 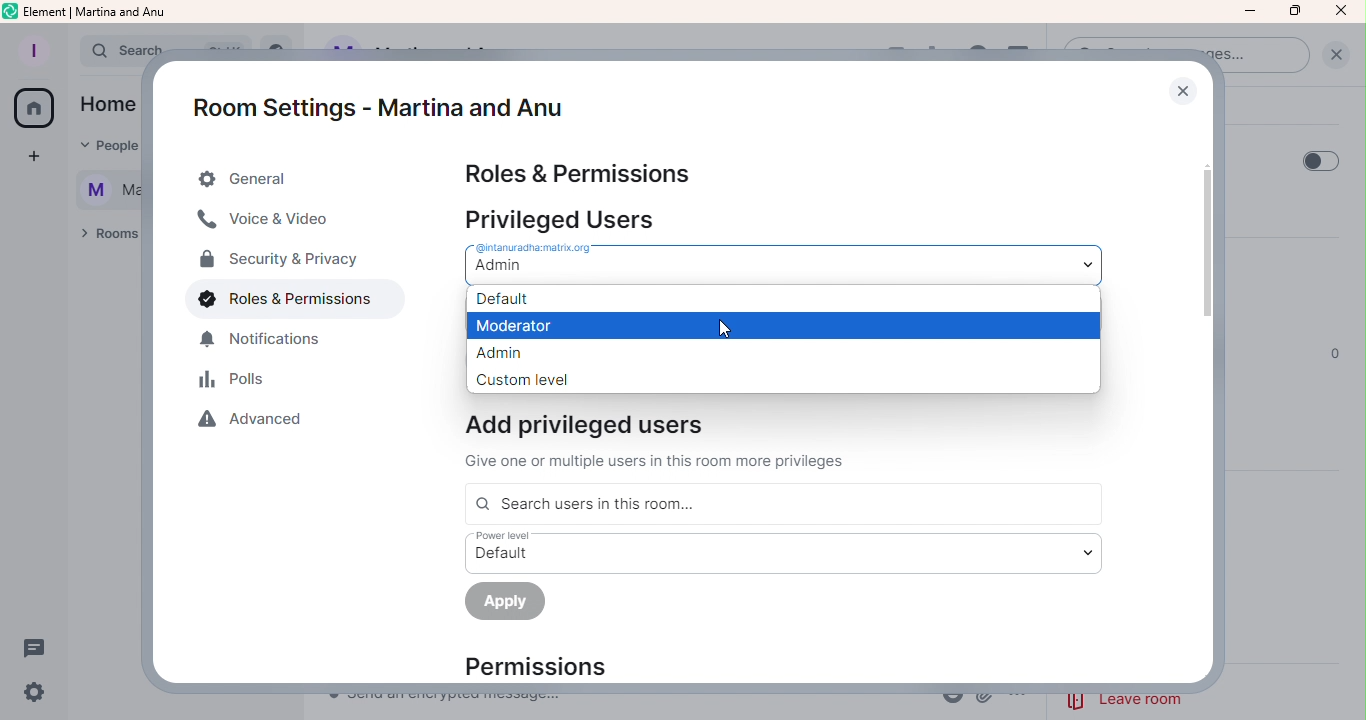 What do you see at coordinates (278, 262) in the screenshot?
I see `Security and privacy` at bounding box center [278, 262].